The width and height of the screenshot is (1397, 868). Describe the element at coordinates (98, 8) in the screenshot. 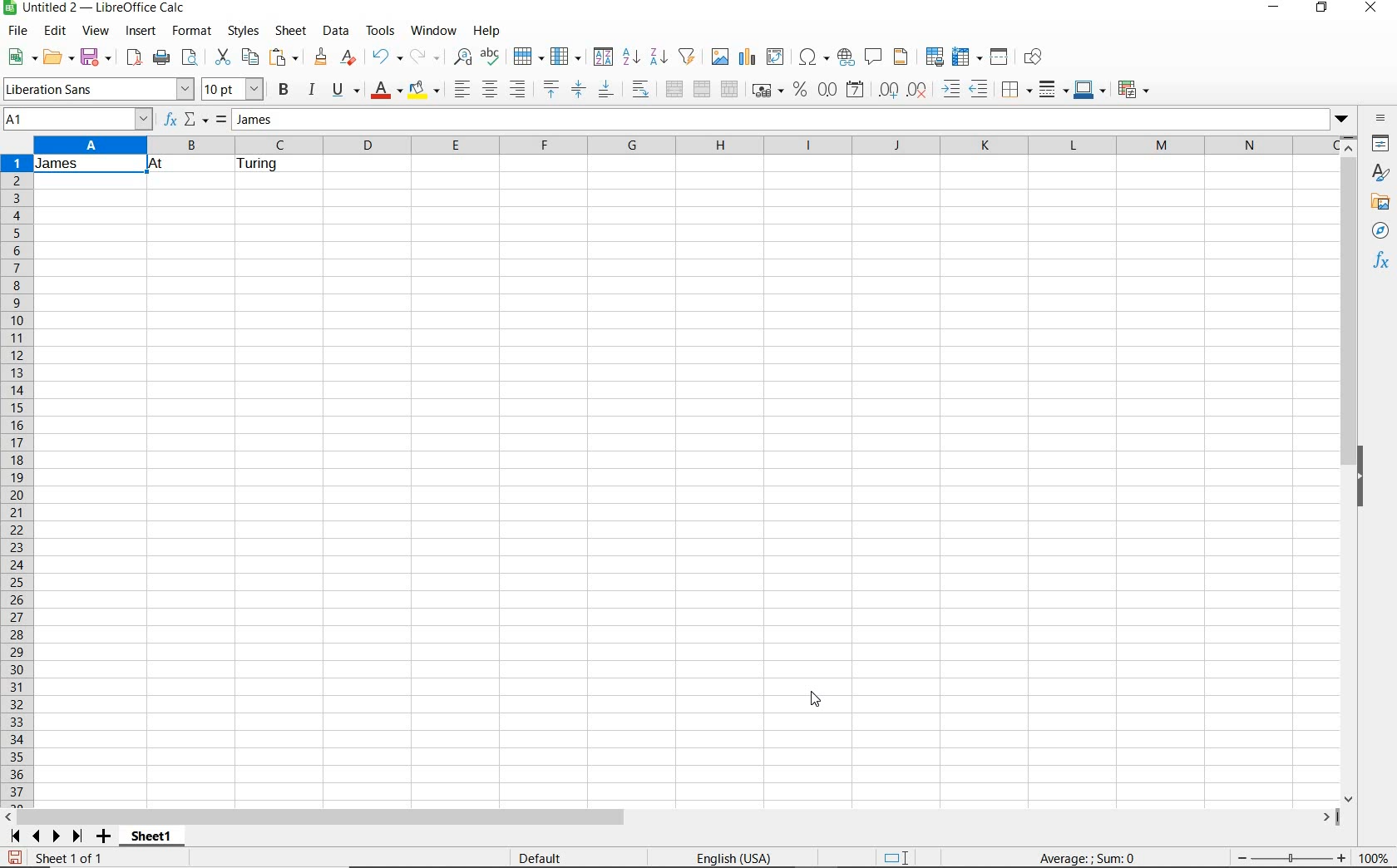

I see `file name` at that location.